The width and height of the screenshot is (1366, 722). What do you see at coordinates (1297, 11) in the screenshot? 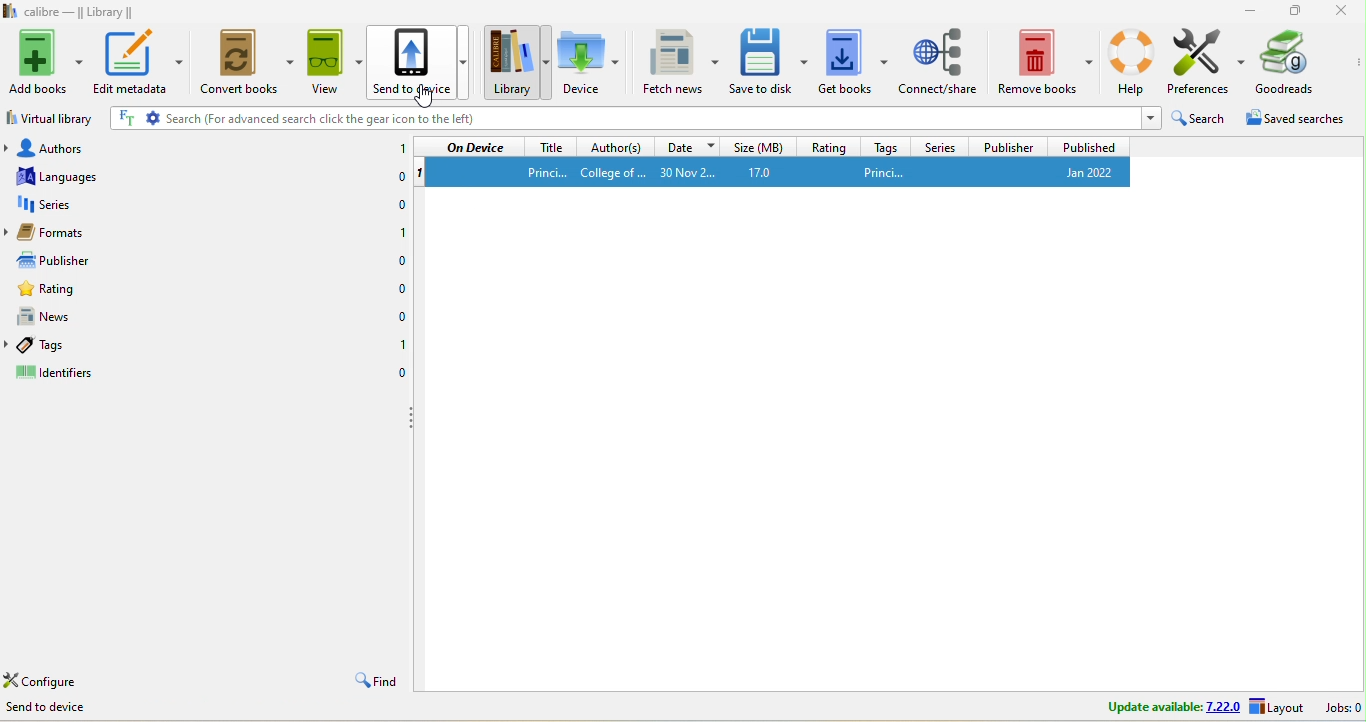
I see `maximize` at bounding box center [1297, 11].